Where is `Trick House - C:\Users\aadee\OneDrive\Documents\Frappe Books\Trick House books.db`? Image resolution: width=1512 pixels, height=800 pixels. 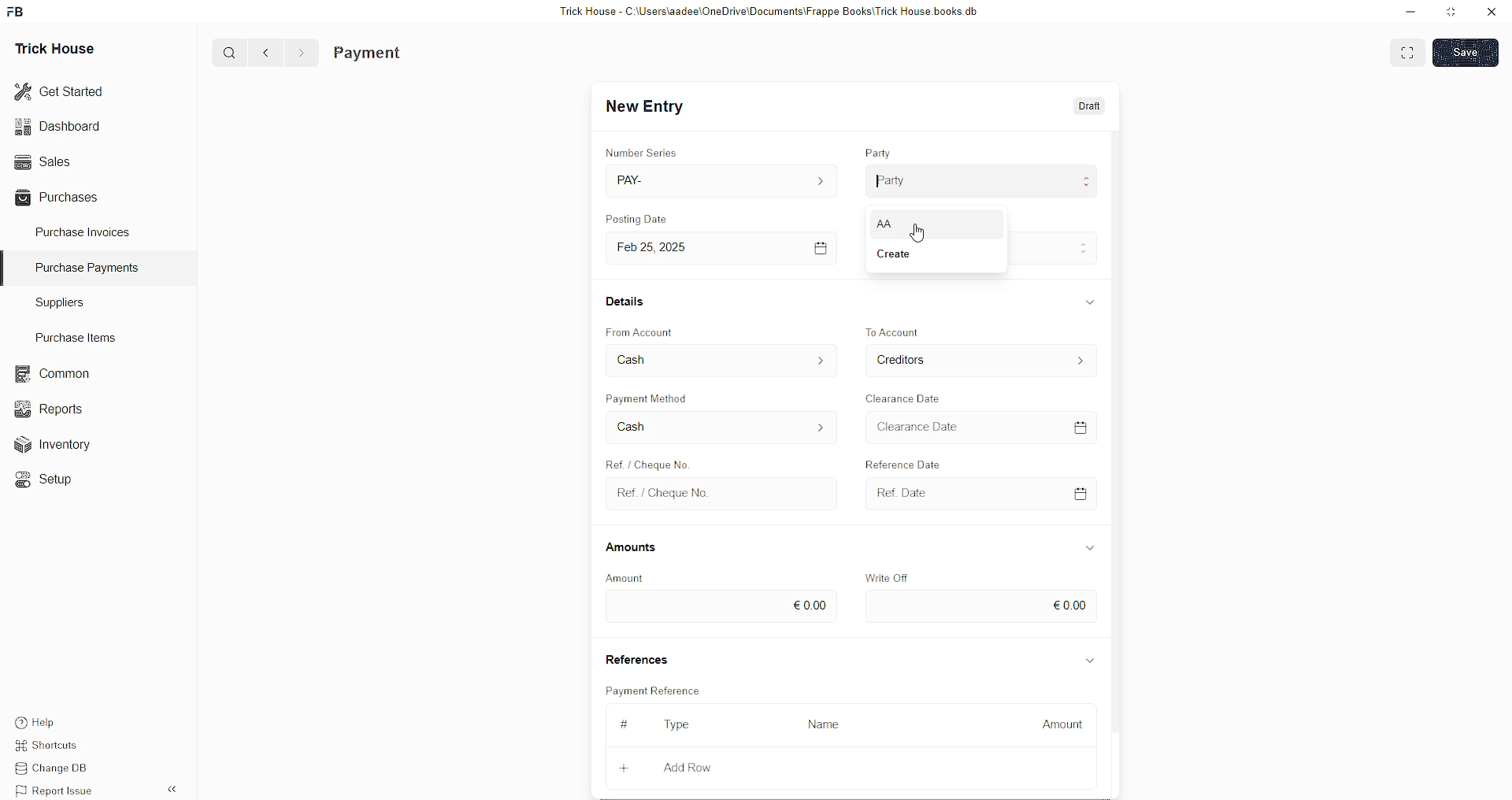
Trick House - C:\Users\aadee\OneDrive\Documents\Frappe Books\Trick House books.db is located at coordinates (772, 12).